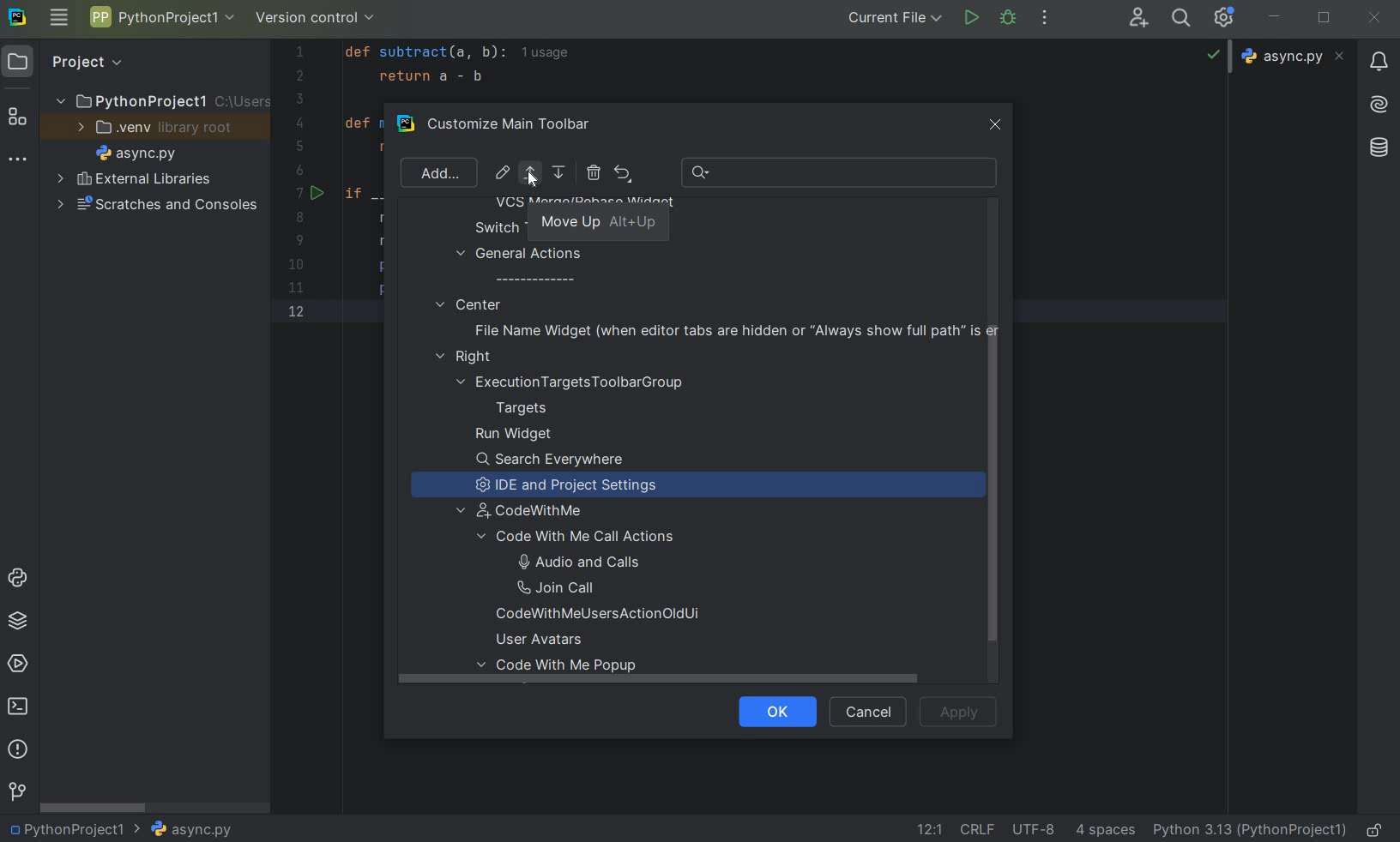 The height and width of the screenshot is (842, 1400). What do you see at coordinates (17, 623) in the screenshot?
I see `PYTHON PACKAGES` at bounding box center [17, 623].